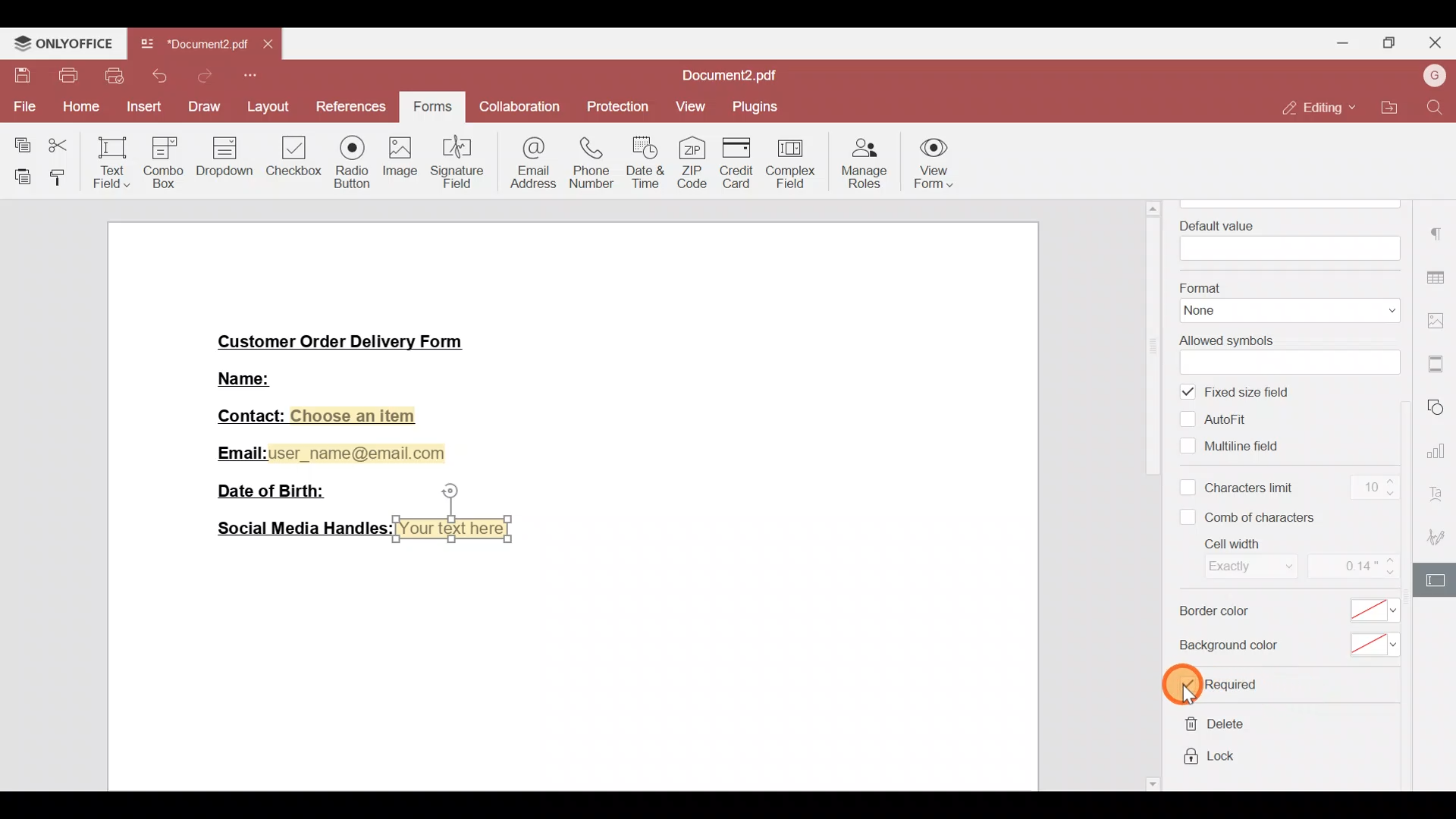  Describe the element at coordinates (941, 161) in the screenshot. I see `View form` at that location.